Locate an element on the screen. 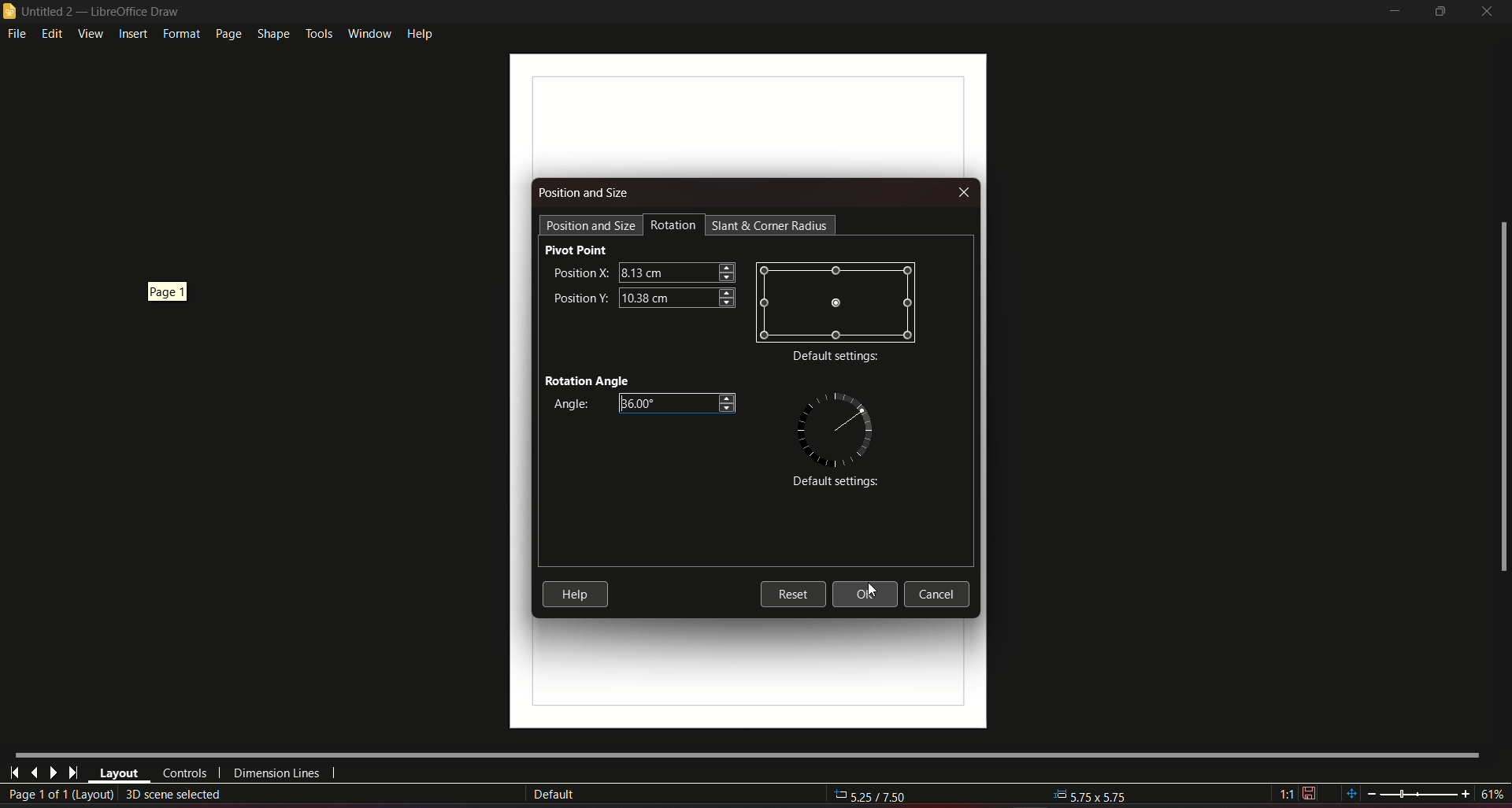  scrollbar is located at coordinates (1502, 398).